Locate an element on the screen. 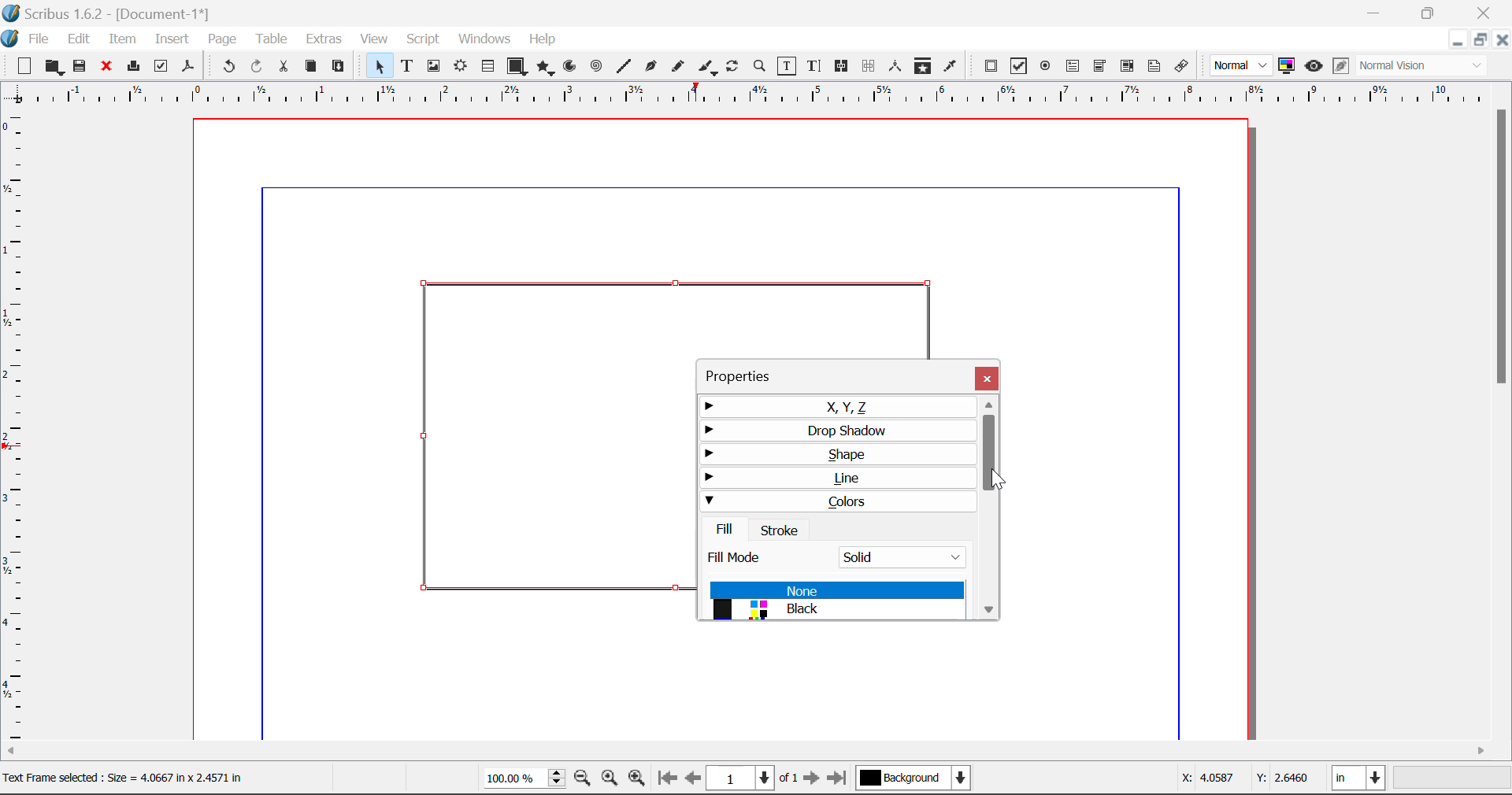 The width and height of the screenshot is (1512, 795). Shapes is located at coordinates (517, 65).